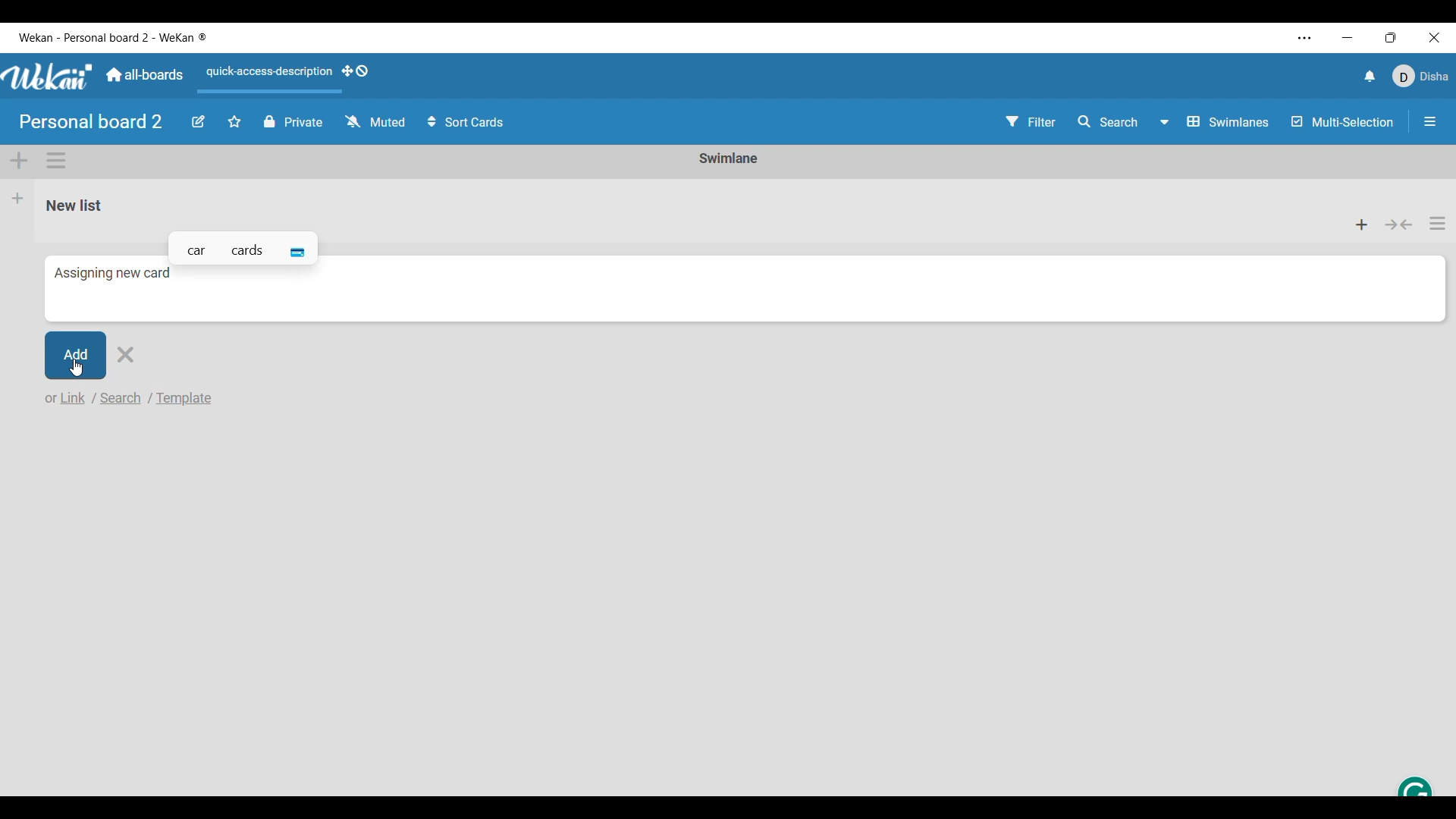 The height and width of the screenshot is (819, 1456). Describe the element at coordinates (1430, 121) in the screenshot. I see `Open/Close sidebar` at that location.